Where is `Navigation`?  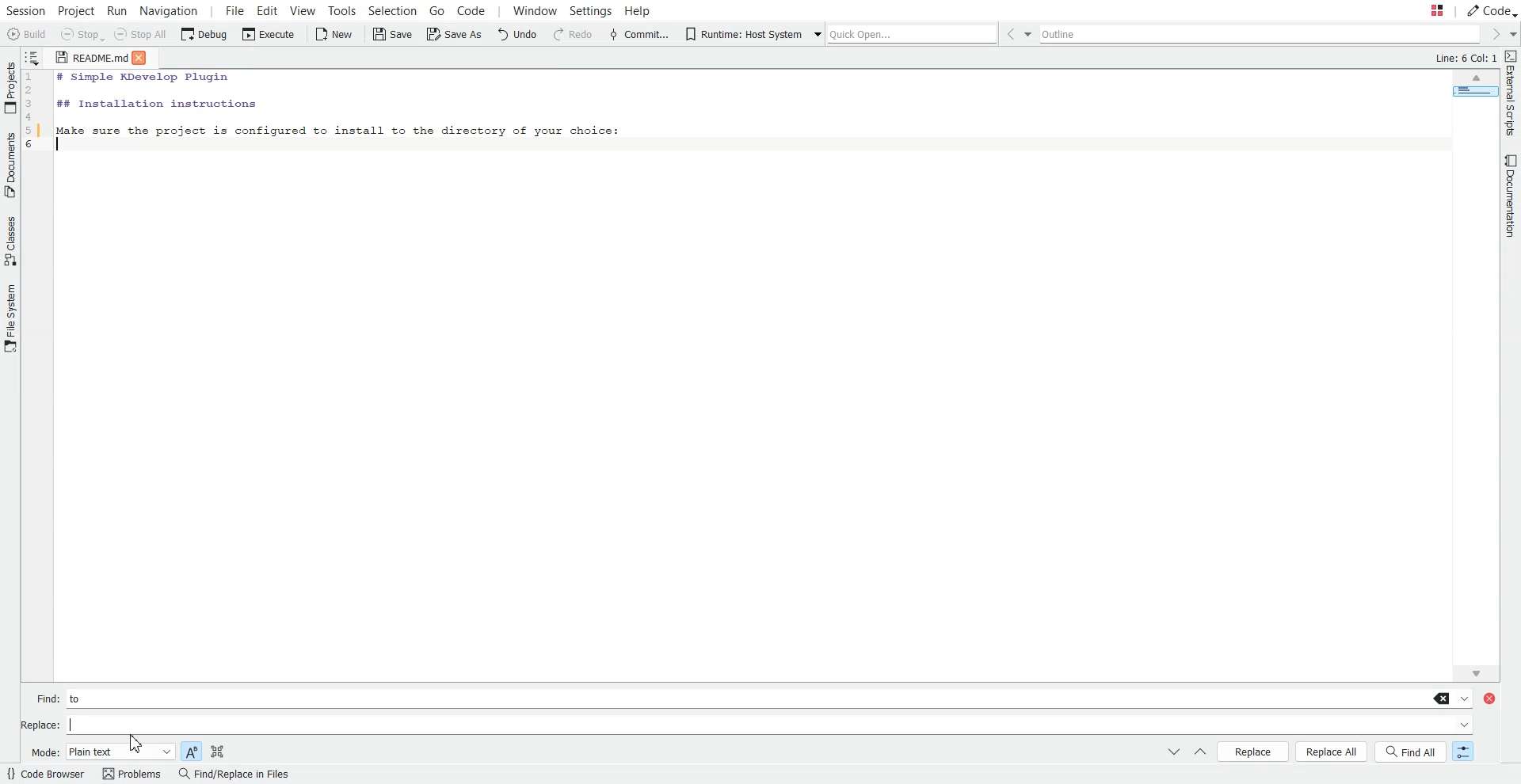 Navigation is located at coordinates (170, 10).